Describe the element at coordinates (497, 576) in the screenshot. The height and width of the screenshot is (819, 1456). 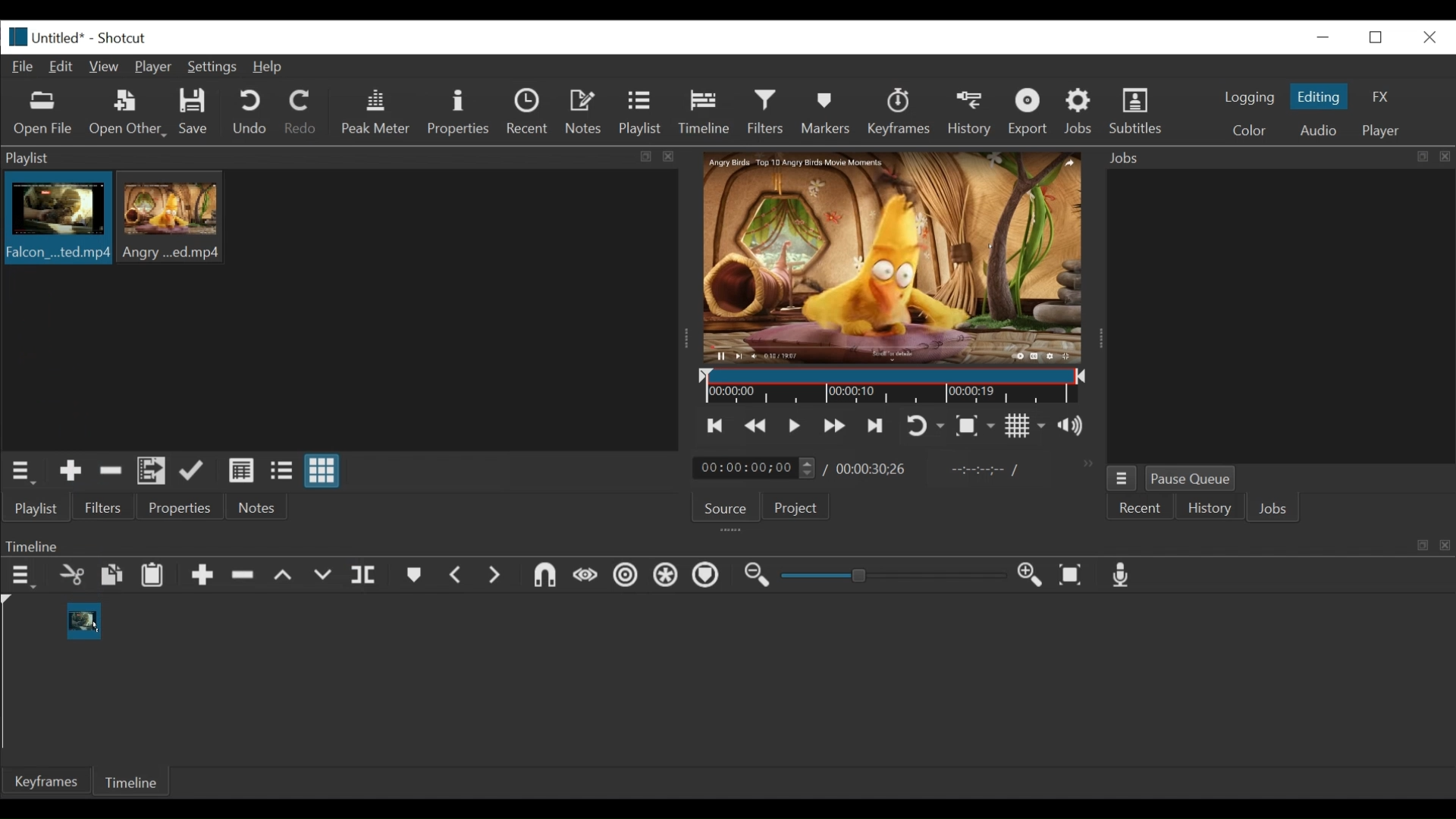
I see `next marker` at that location.